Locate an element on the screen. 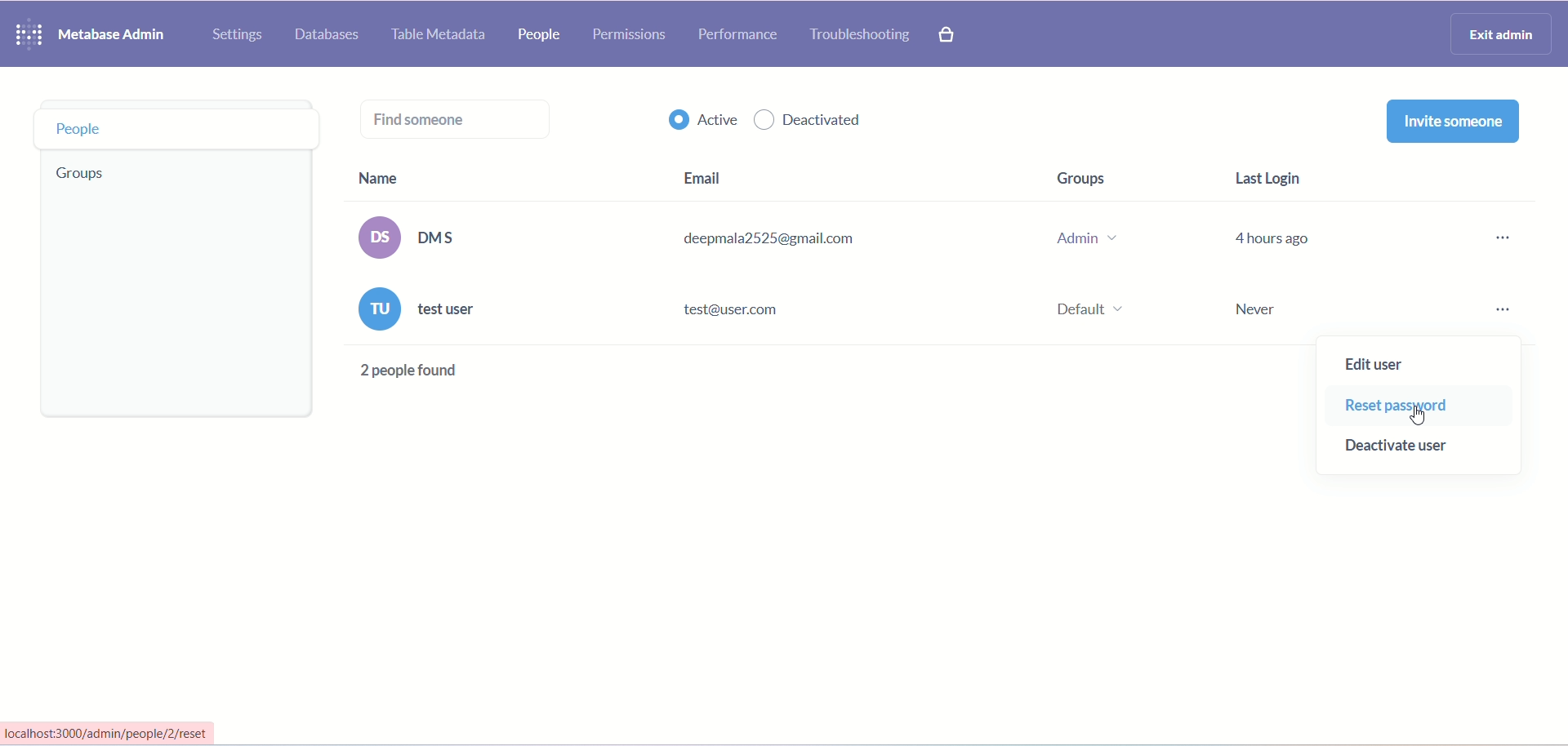 The width and height of the screenshot is (1568, 746). database is located at coordinates (330, 34).